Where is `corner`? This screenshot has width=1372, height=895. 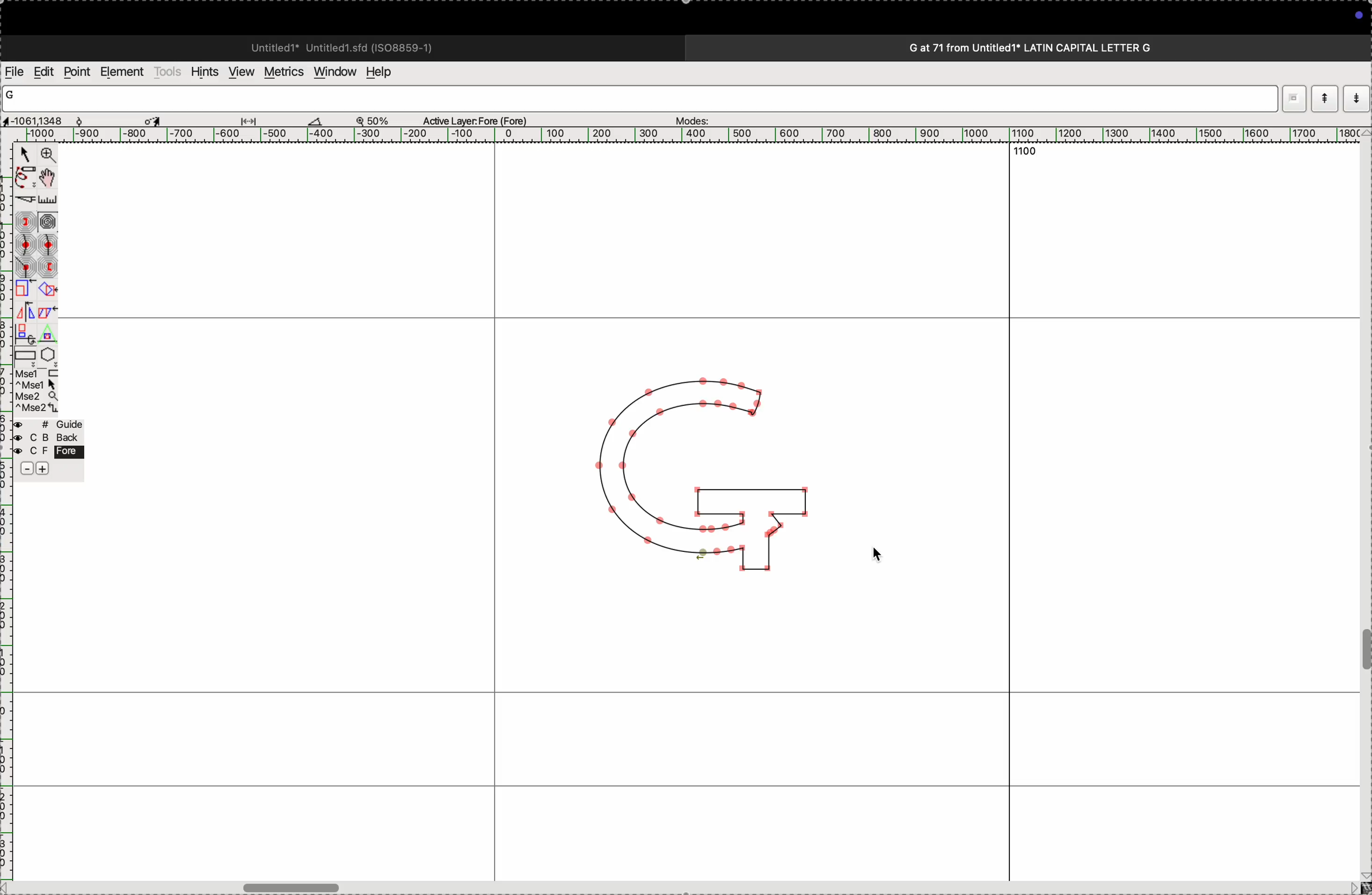 corner is located at coordinates (27, 266).